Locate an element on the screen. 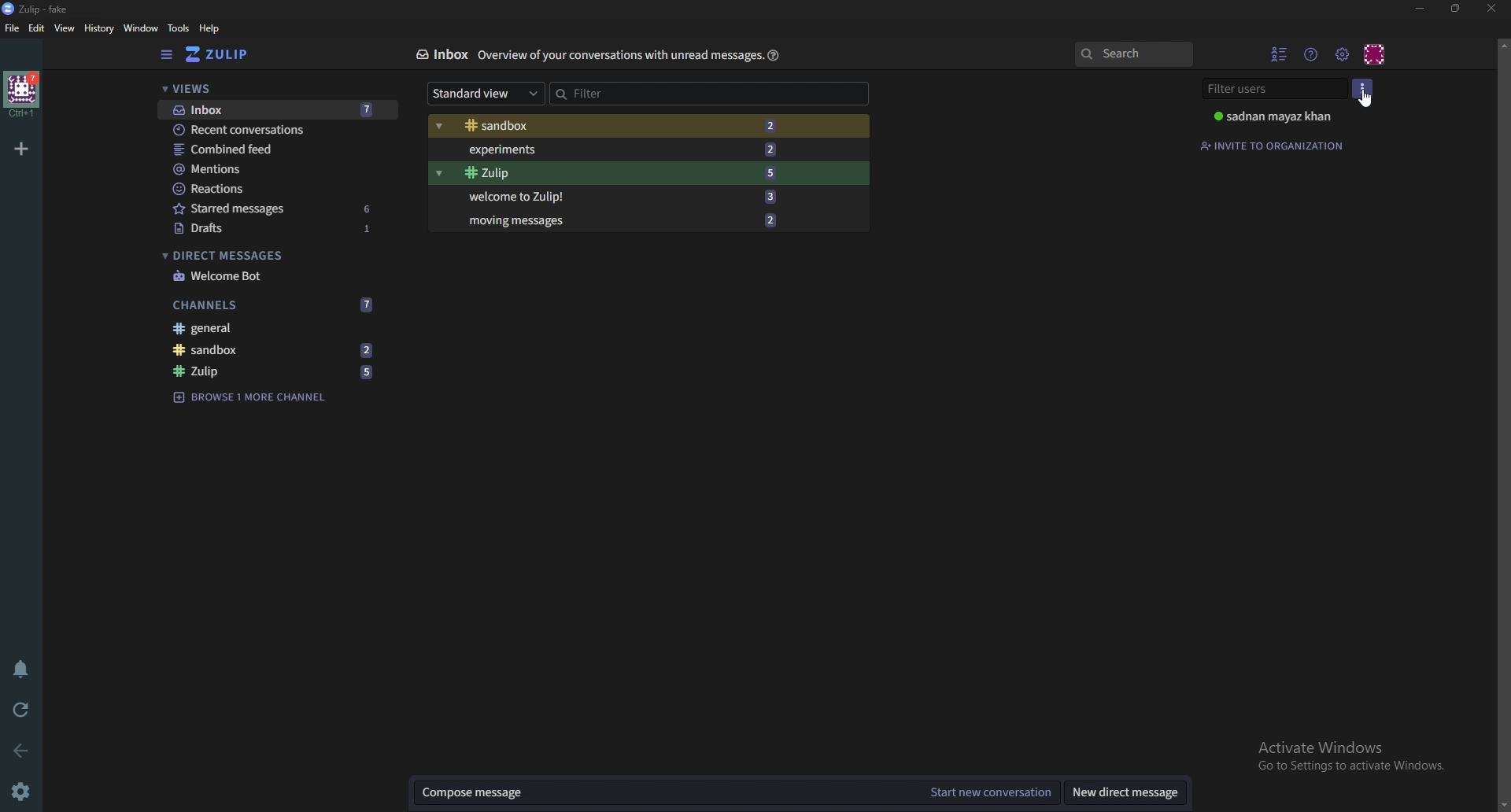 The height and width of the screenshot is (812, 1511). Combined feed is located at coordinates (275, 149).